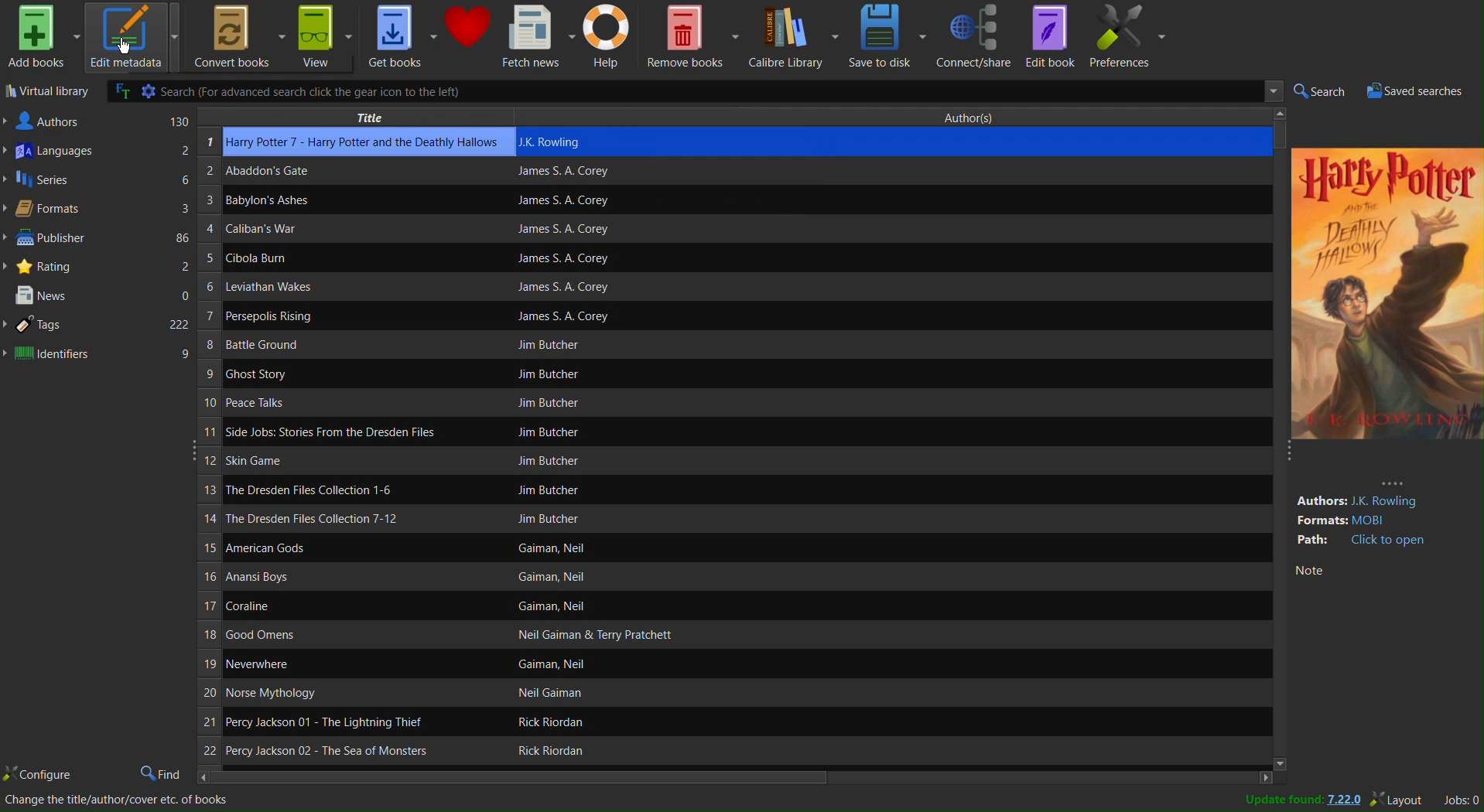 This screenshot has height=812, width=1484. Describe the element at coordinates (342, 609) in the screenshot. I see `Book name` at that location.